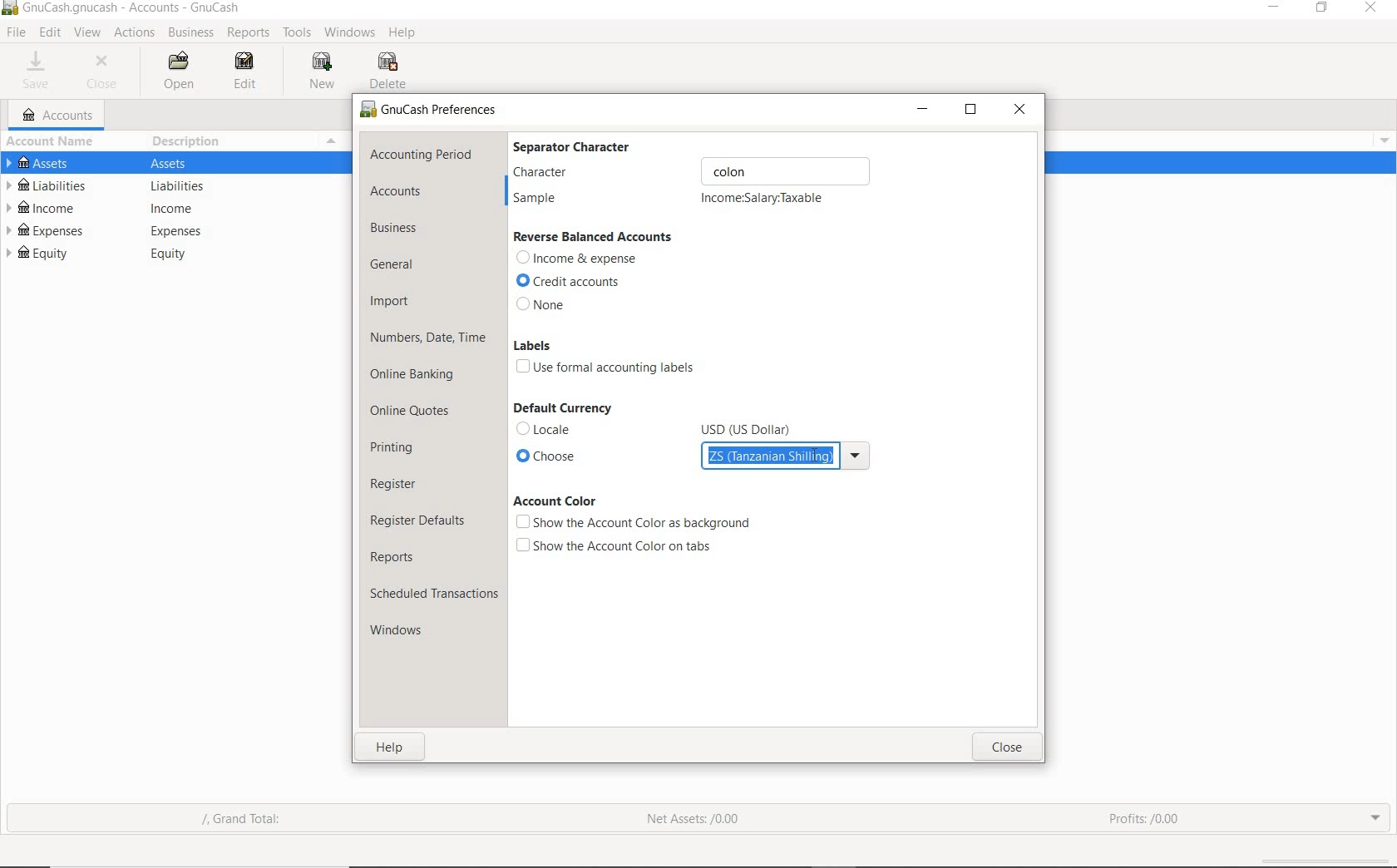 The height and width of the screenshot is (868, 1397). I want to click on VIEW, so click(87, 31).